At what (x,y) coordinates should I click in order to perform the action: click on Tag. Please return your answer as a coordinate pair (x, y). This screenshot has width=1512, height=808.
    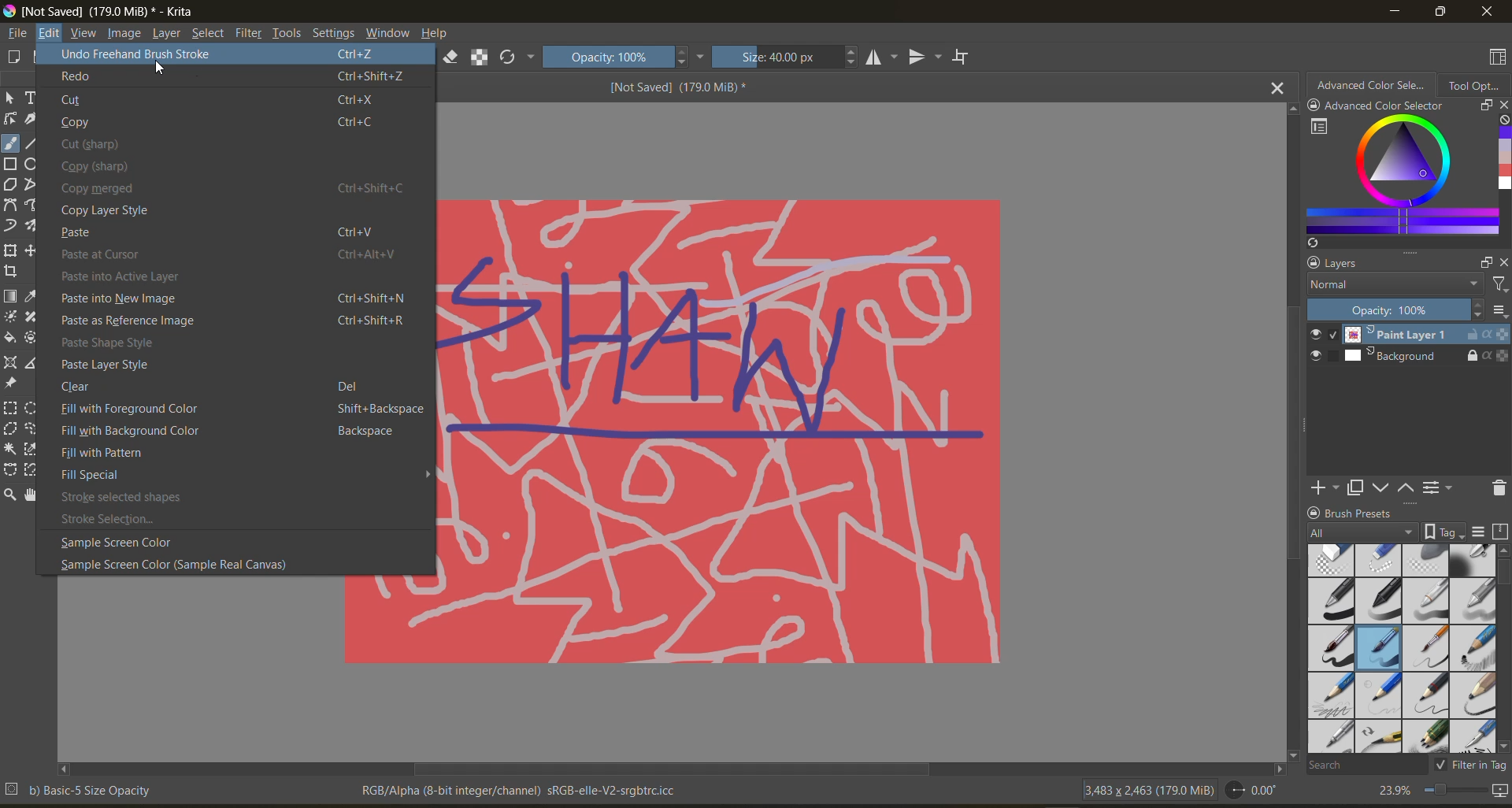
    Looking at the image, I should click on (1445, 532).